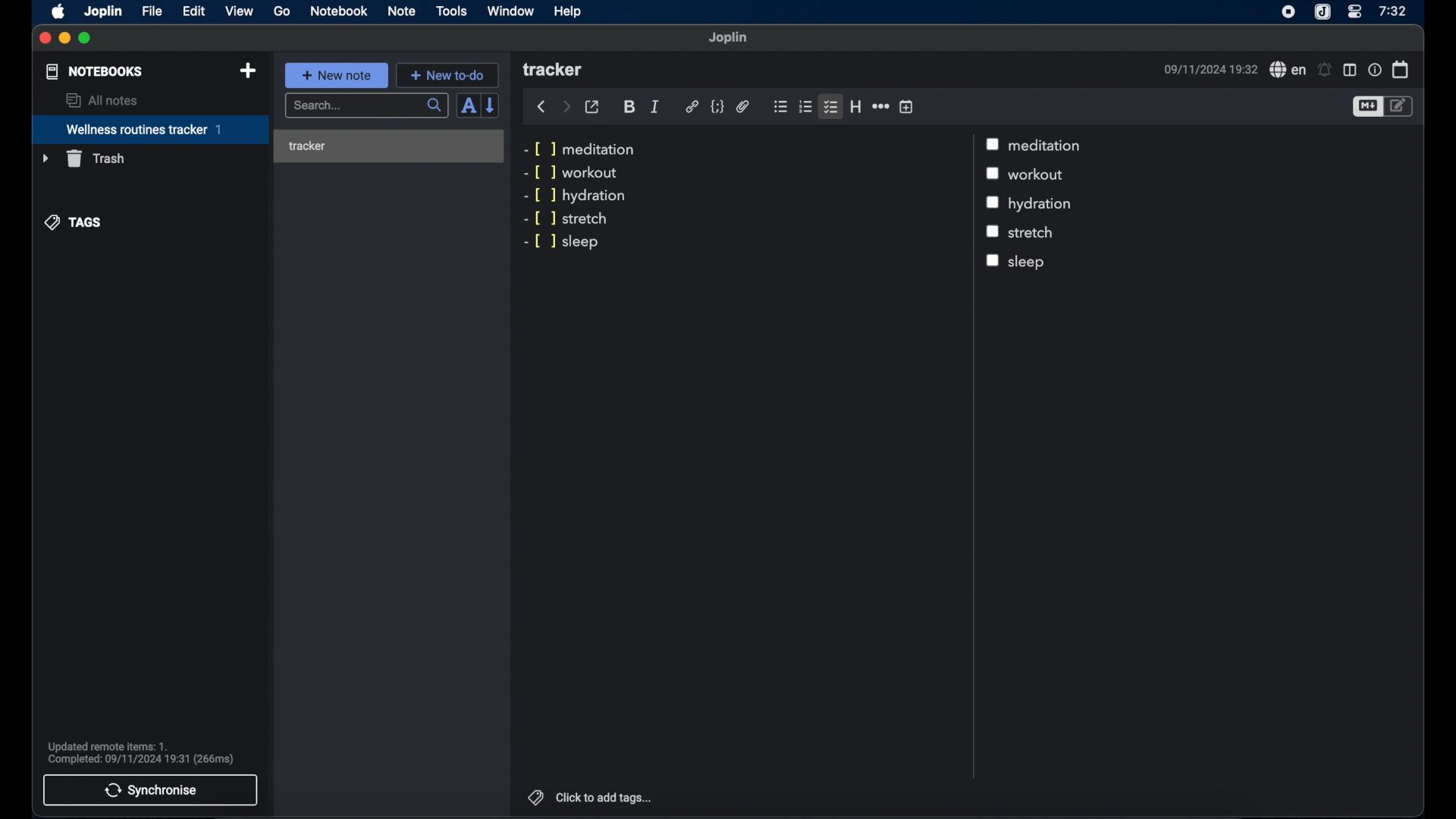  I want to click on joplin, so click(104, 12).